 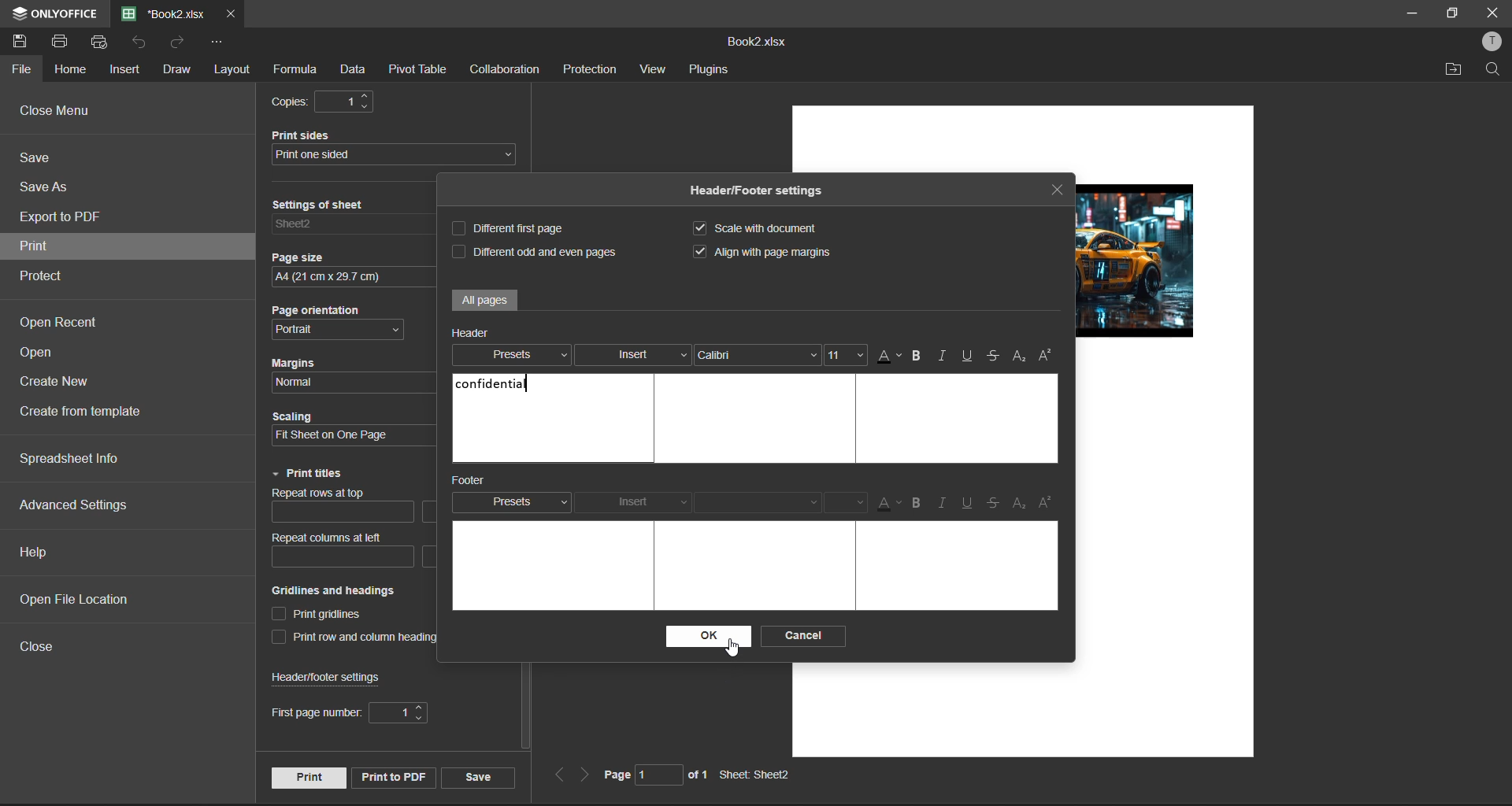 What do you see at coordinates (42, 246) in the screenshot?
I see `print` at bounding box center [42, 246].